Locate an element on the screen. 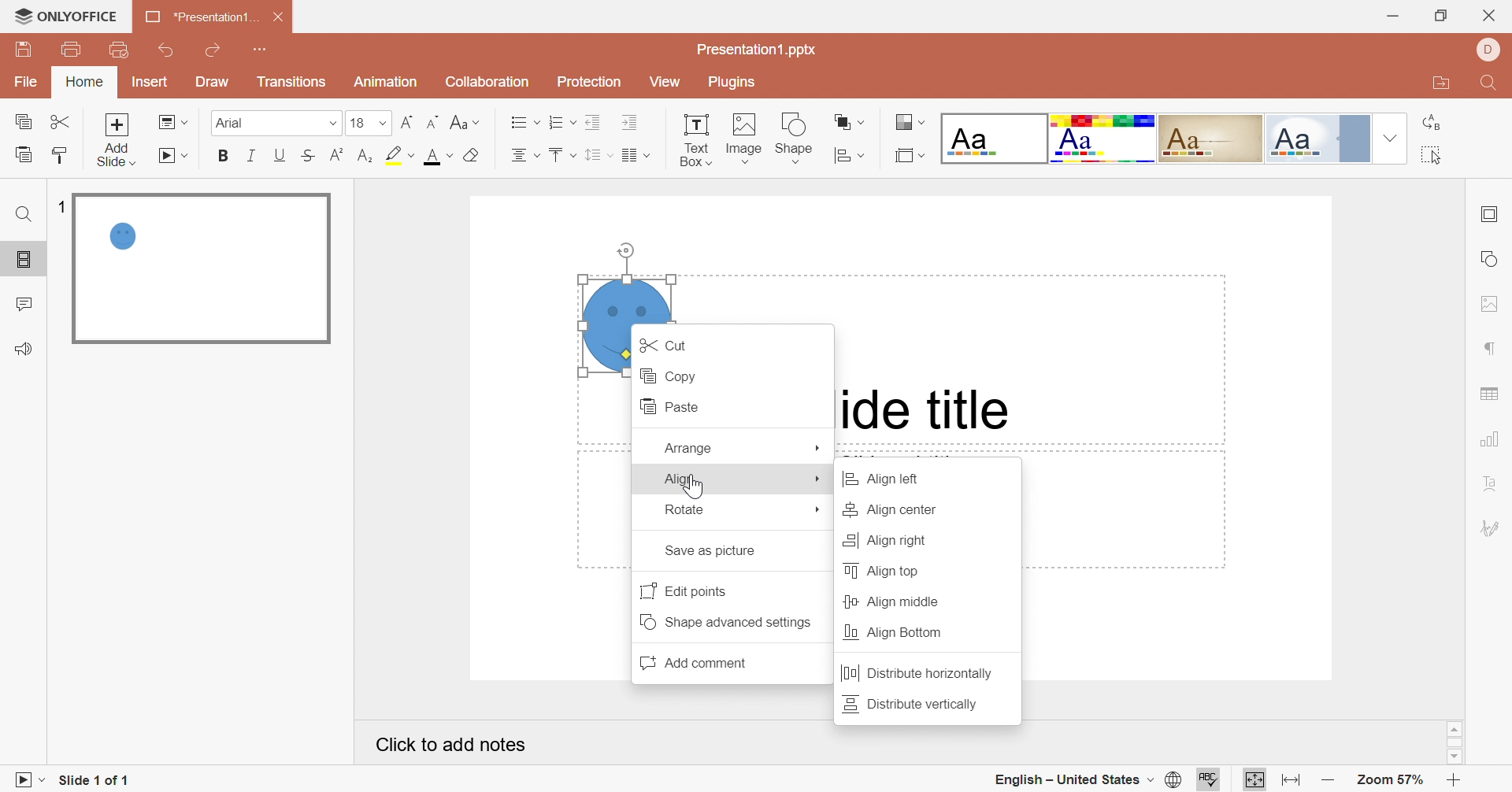 This screenshot has height=792, width=1512. Align center is located at coordinates (524, 155).